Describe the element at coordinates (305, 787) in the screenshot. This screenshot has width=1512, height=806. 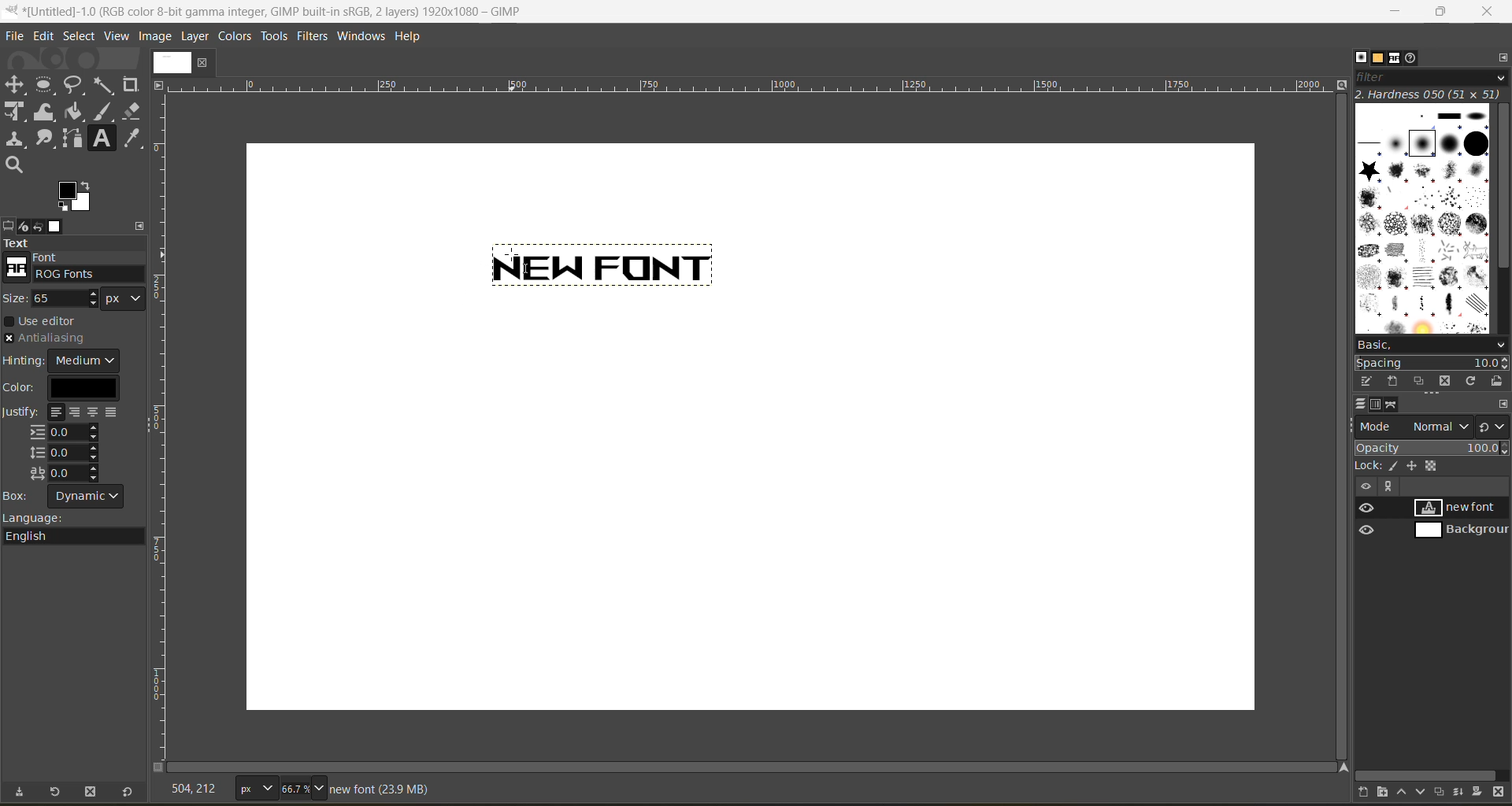
I see `zoom` at that location.